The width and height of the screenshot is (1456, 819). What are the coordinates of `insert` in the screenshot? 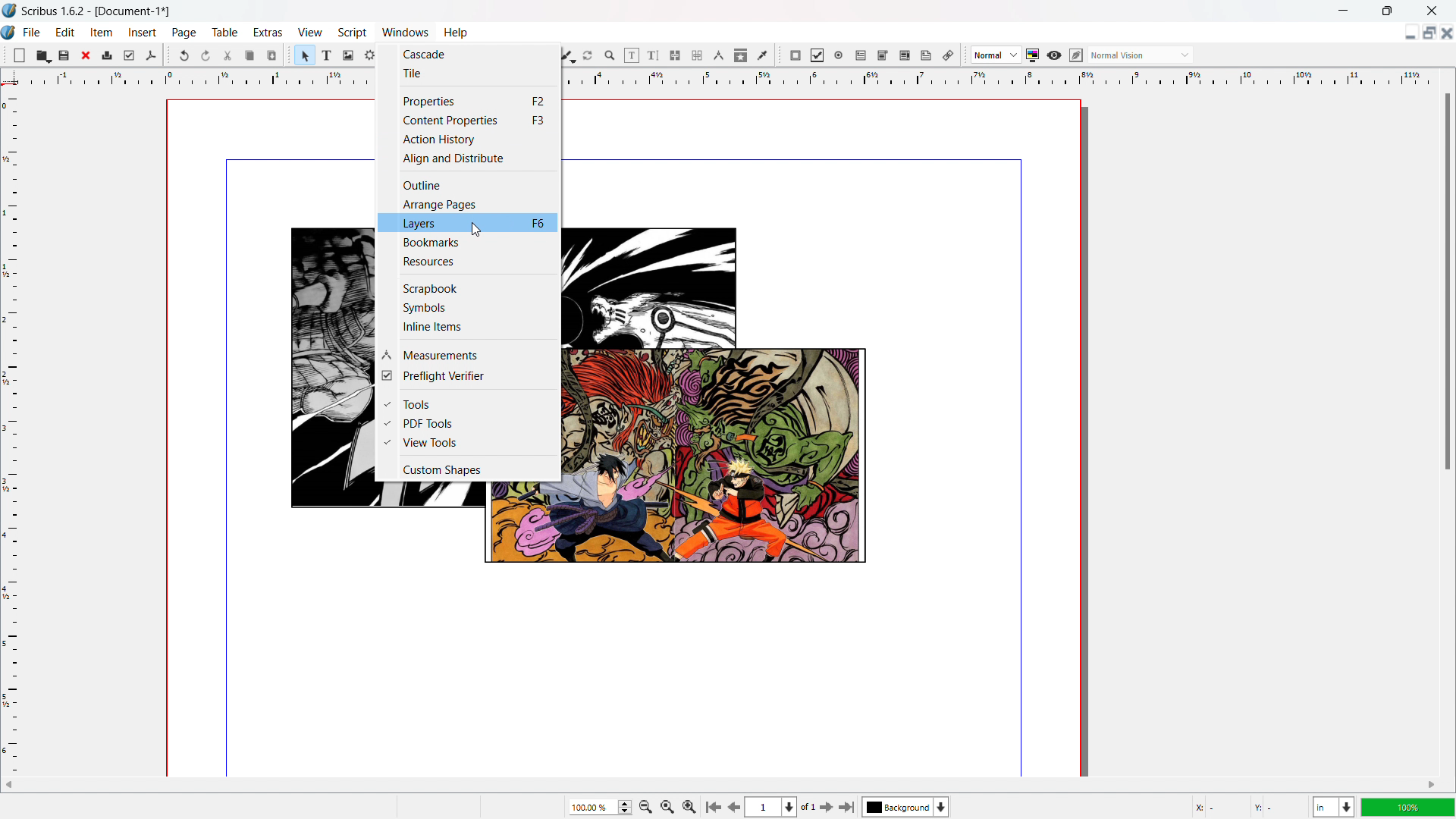 It's located at (143, 32).